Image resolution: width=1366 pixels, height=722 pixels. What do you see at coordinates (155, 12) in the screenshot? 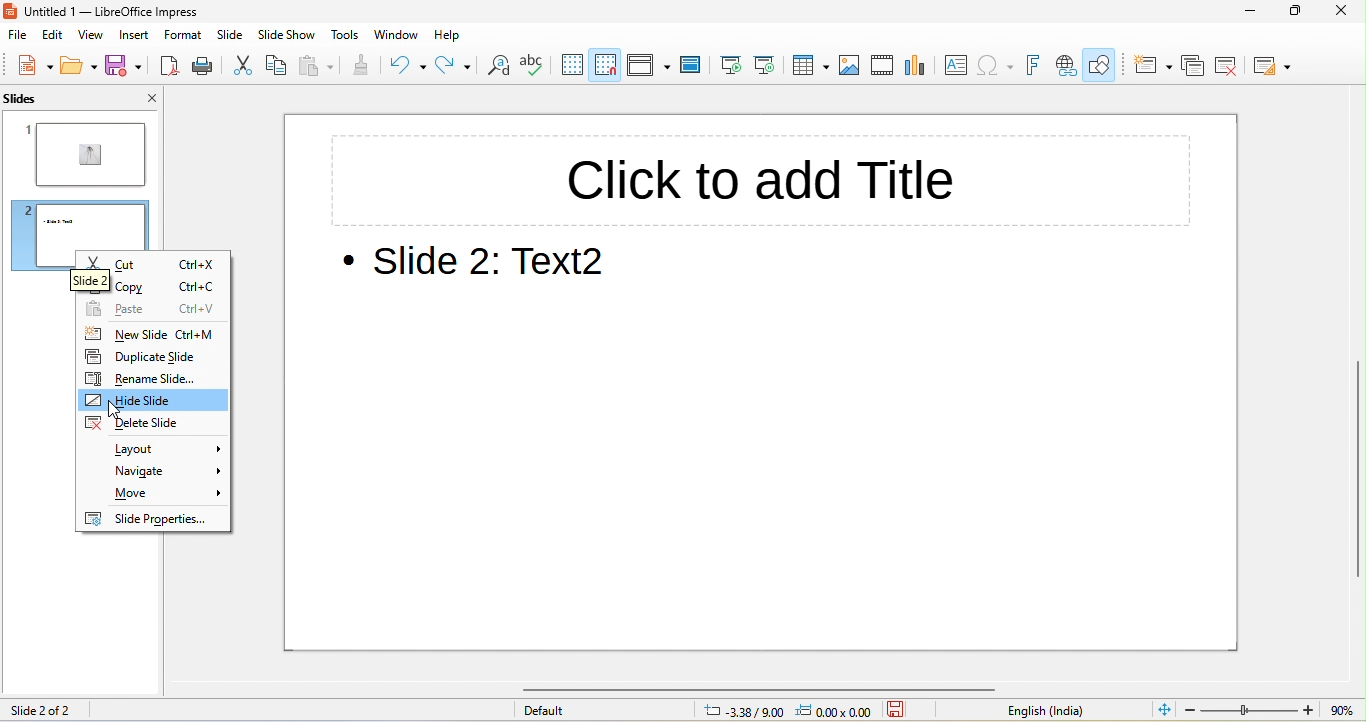
I see `untitled 1-libreoffice impress` at bounding box center [155, 12].